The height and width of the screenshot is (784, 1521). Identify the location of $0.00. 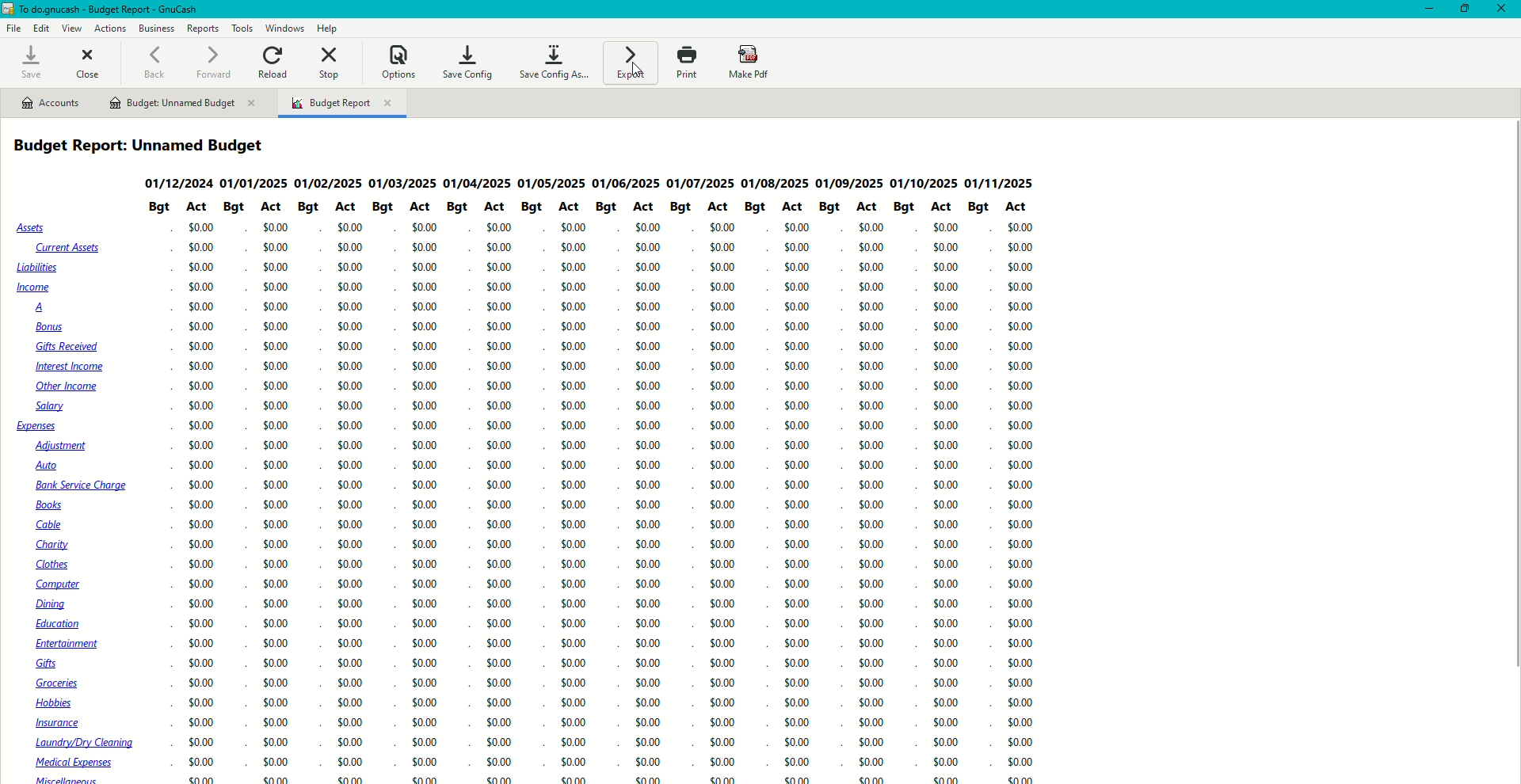
(578, 504).